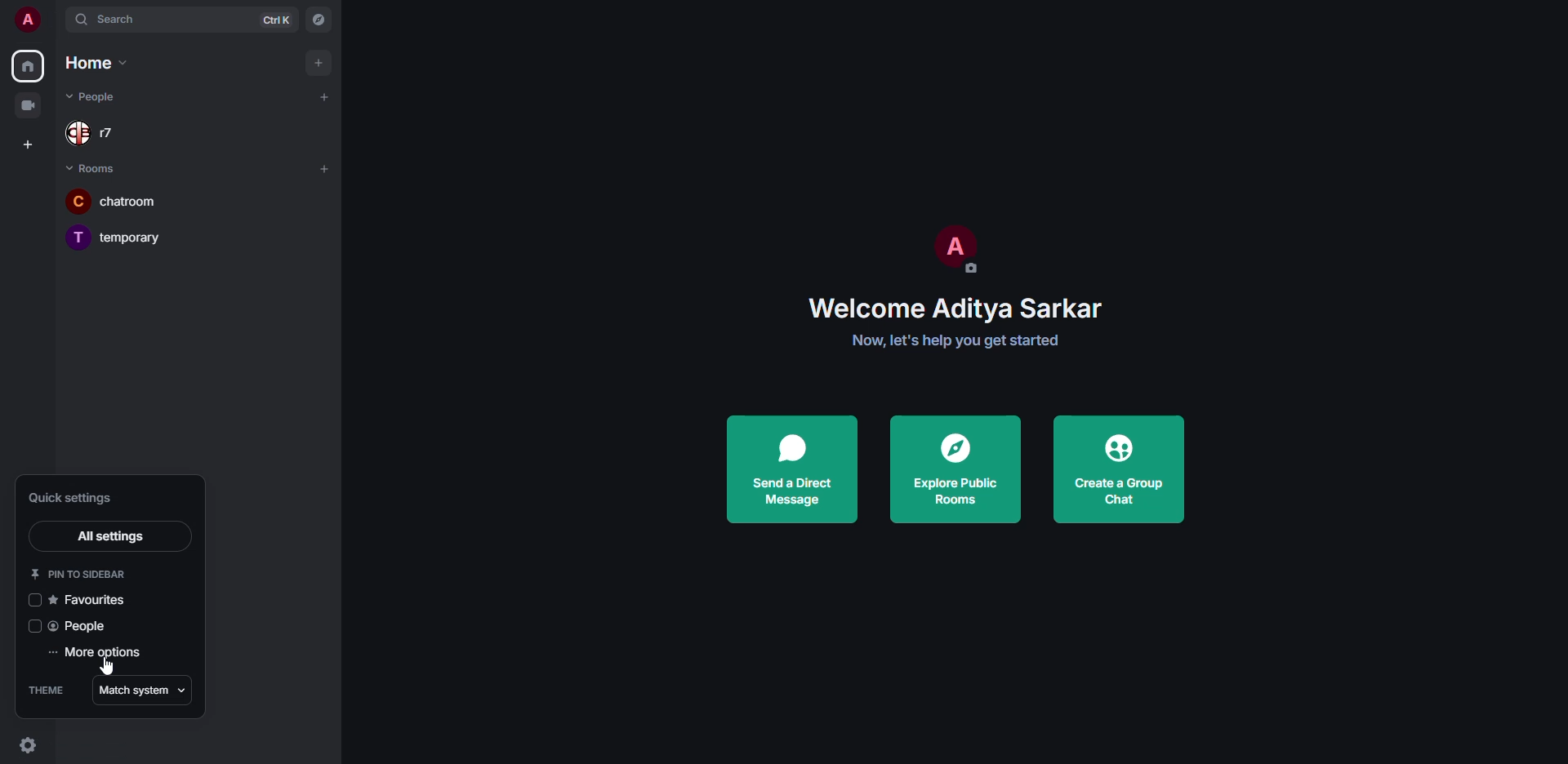  What do you see at coordinates (278, 19) in the screenshot?
I see `ctrl K` at bounding box center [278, 19].